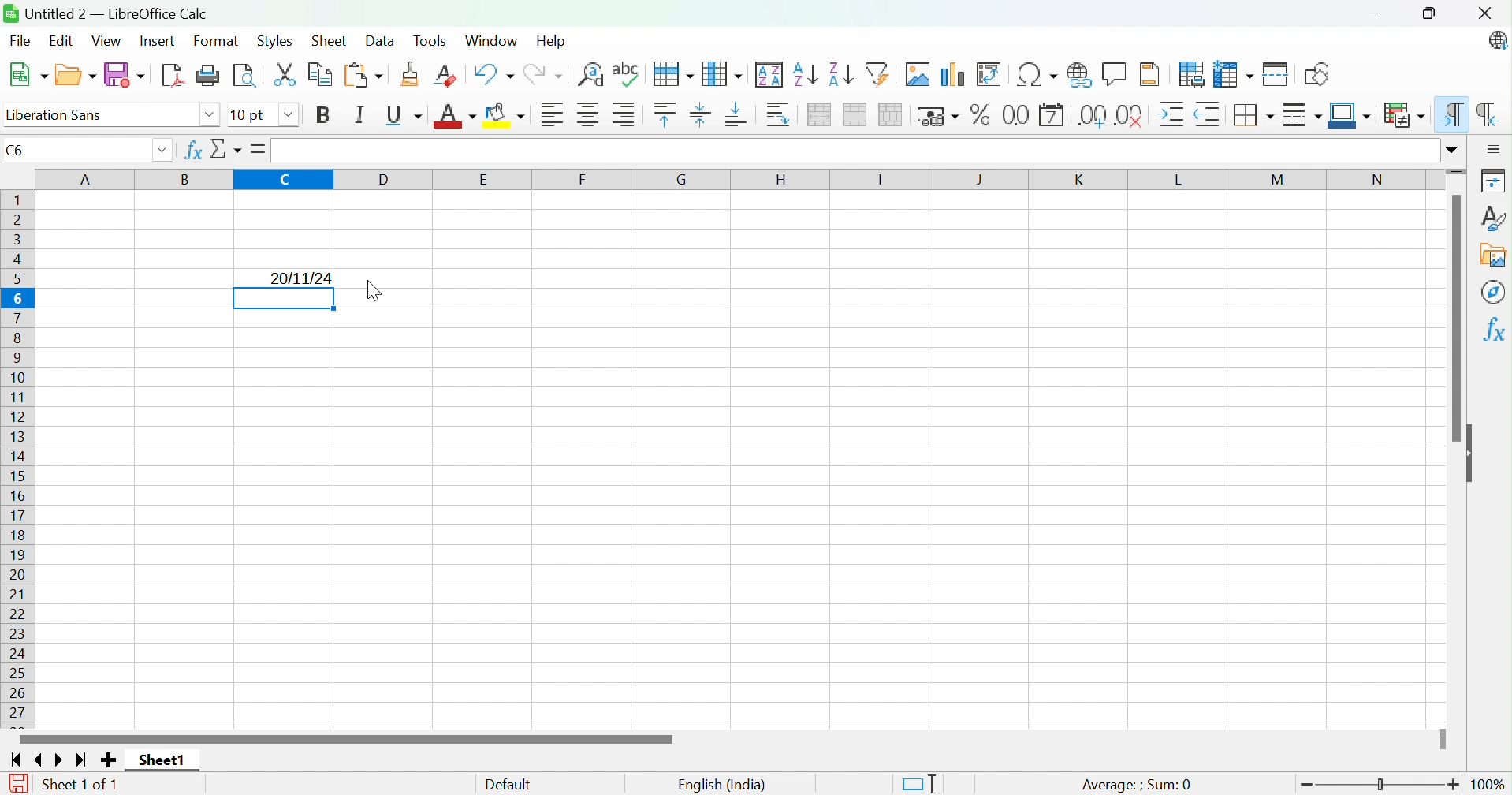 Image resolution: width=1512 pixels, height=795 pixels. Describe the element at coordinates (20, 461) in the screenshot. I see `Row names` at that location.